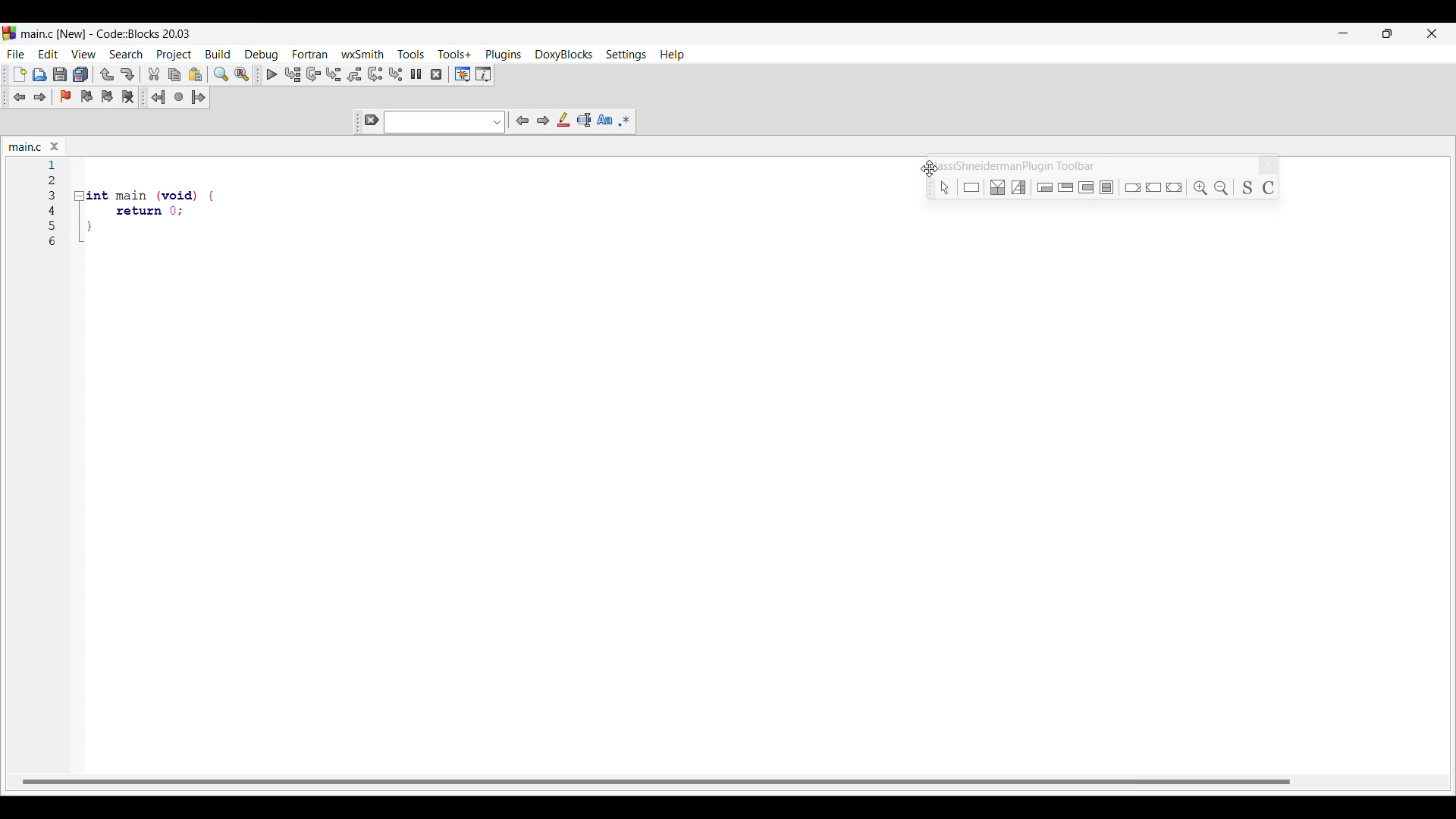  What do you see at coordinates (334, 74) in the screenshot?
I see `Step into` at bounding box center [334, 74].